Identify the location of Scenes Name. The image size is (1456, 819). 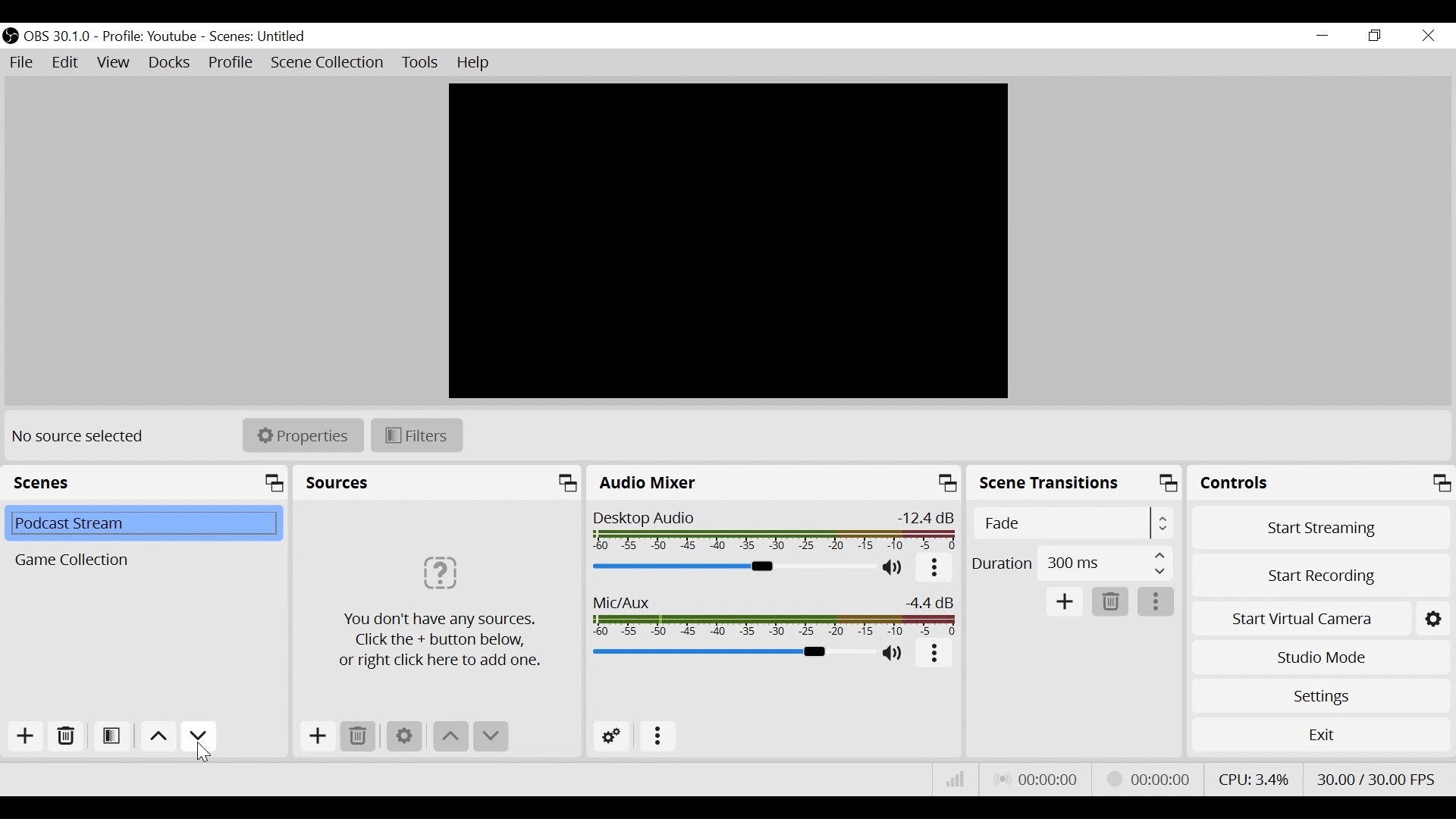
(262, 36).